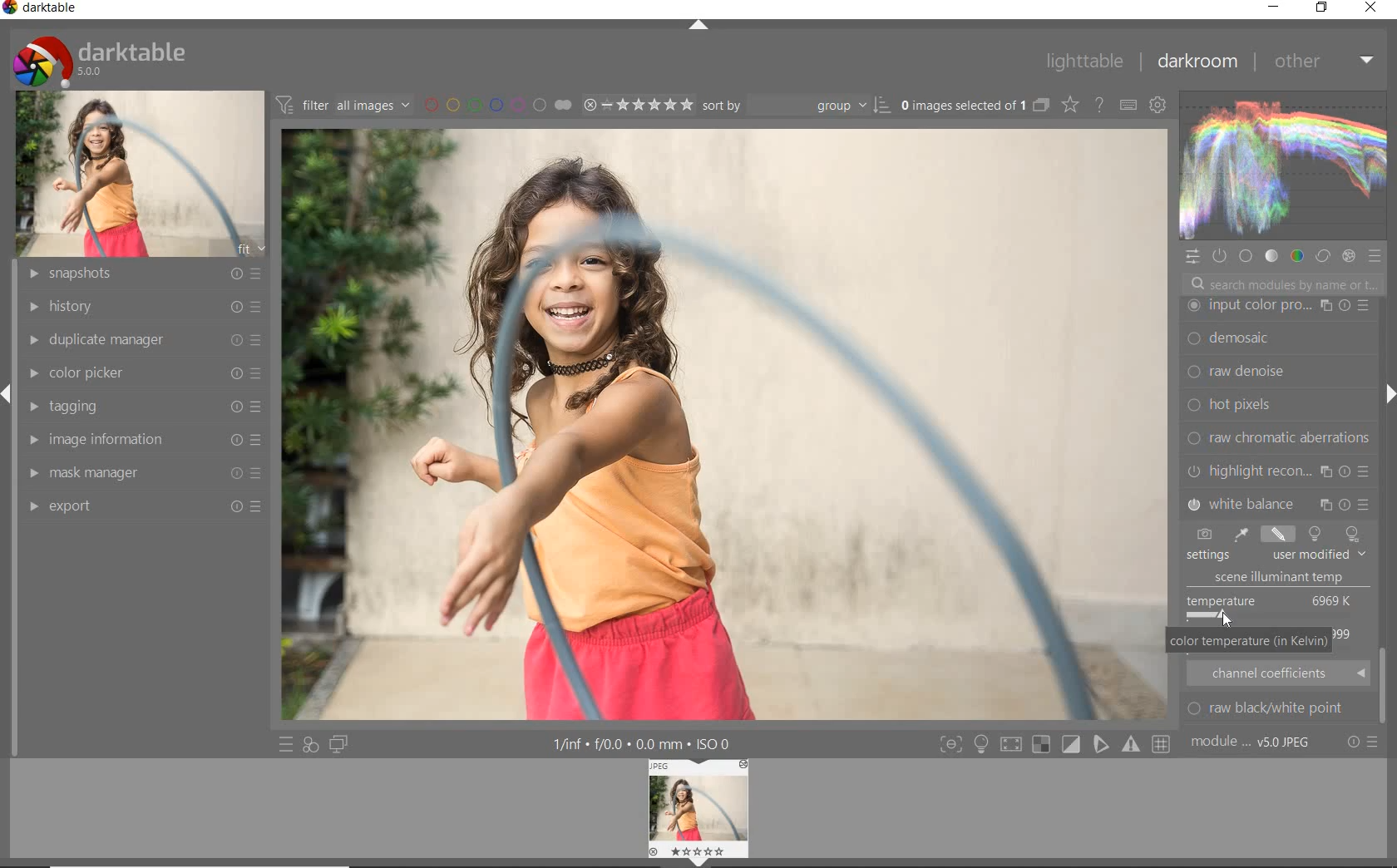  I want to click on toggle mode, so click(950, 744).